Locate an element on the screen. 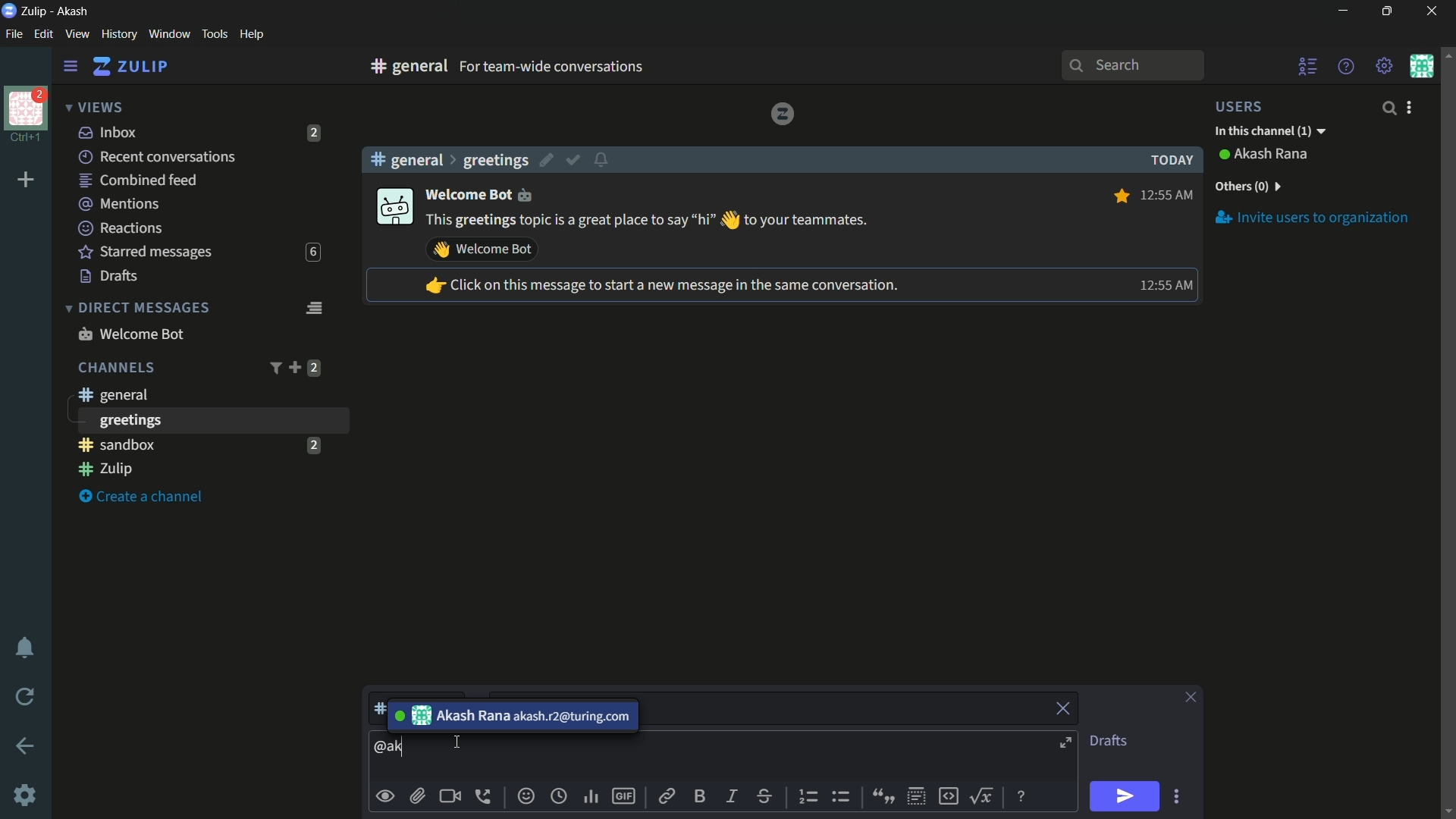  greeting channel is located at coordinates (212, 420).